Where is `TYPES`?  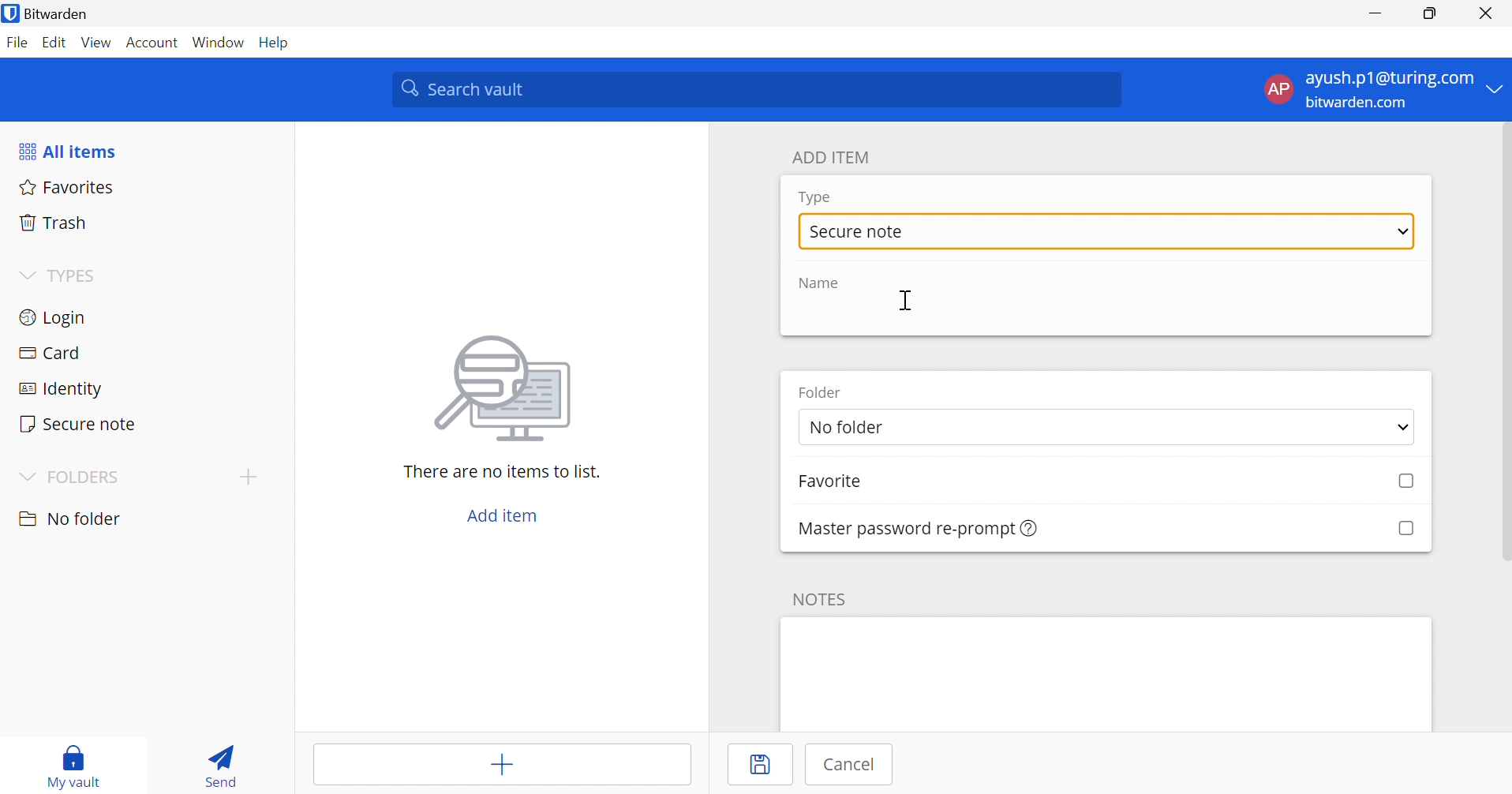 TYPES is located at coordinates (76, 277).